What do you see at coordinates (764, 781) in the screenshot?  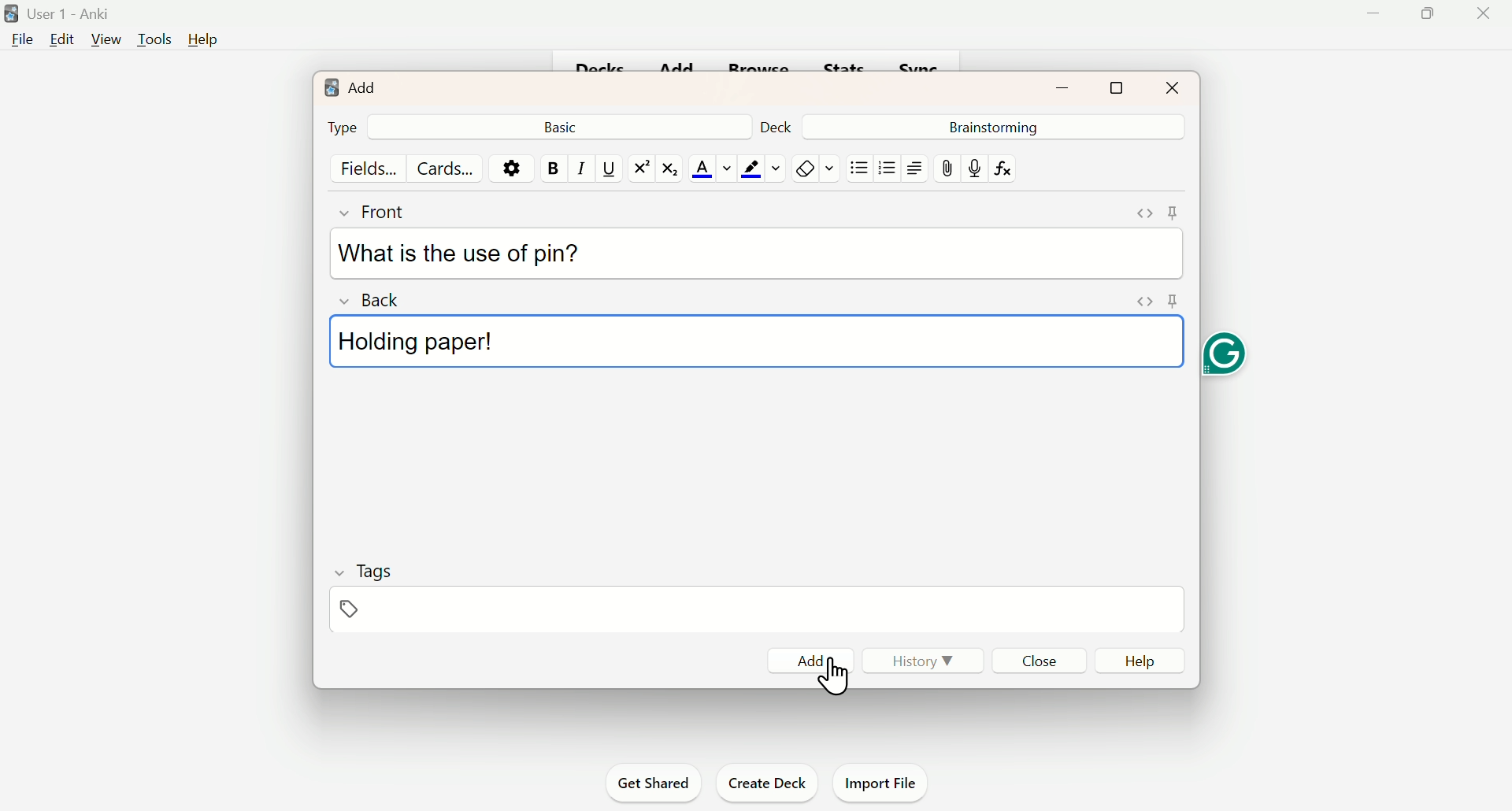 I see `Create Deck` at bounding box center [764, 781].